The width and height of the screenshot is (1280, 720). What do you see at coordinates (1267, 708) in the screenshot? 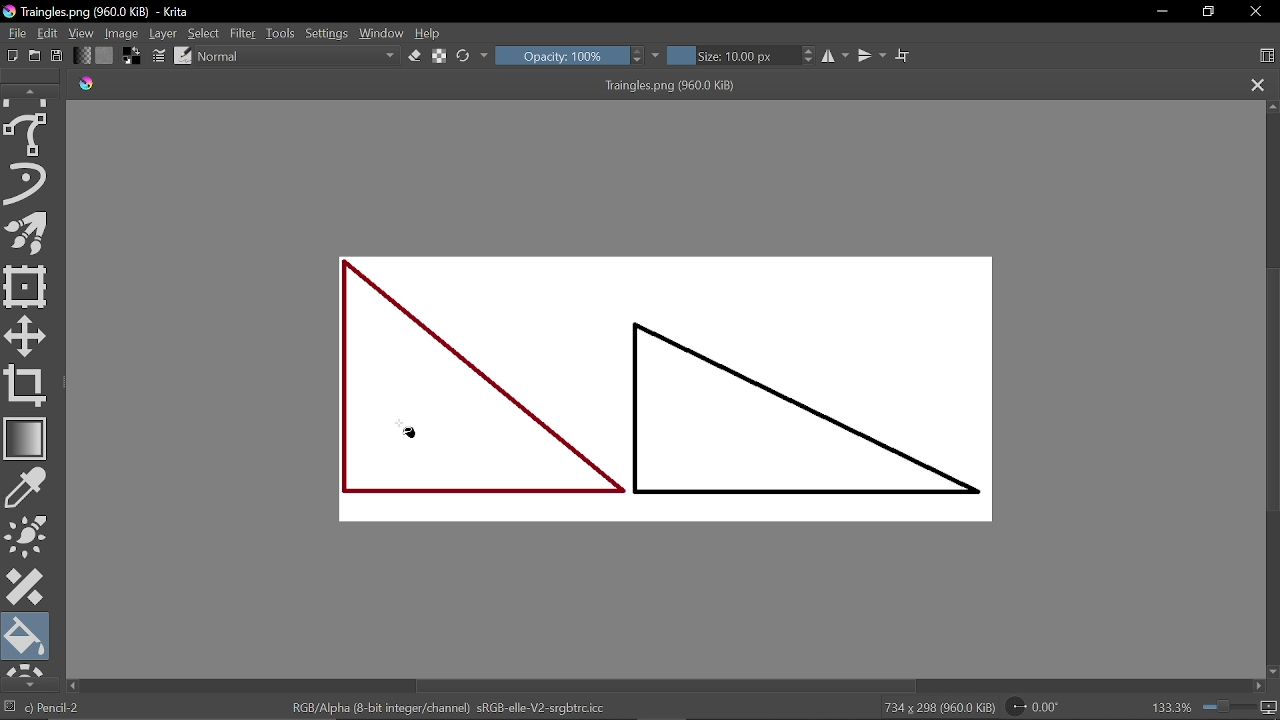
I see `Pixel size` at bounding box center [1267, 708].